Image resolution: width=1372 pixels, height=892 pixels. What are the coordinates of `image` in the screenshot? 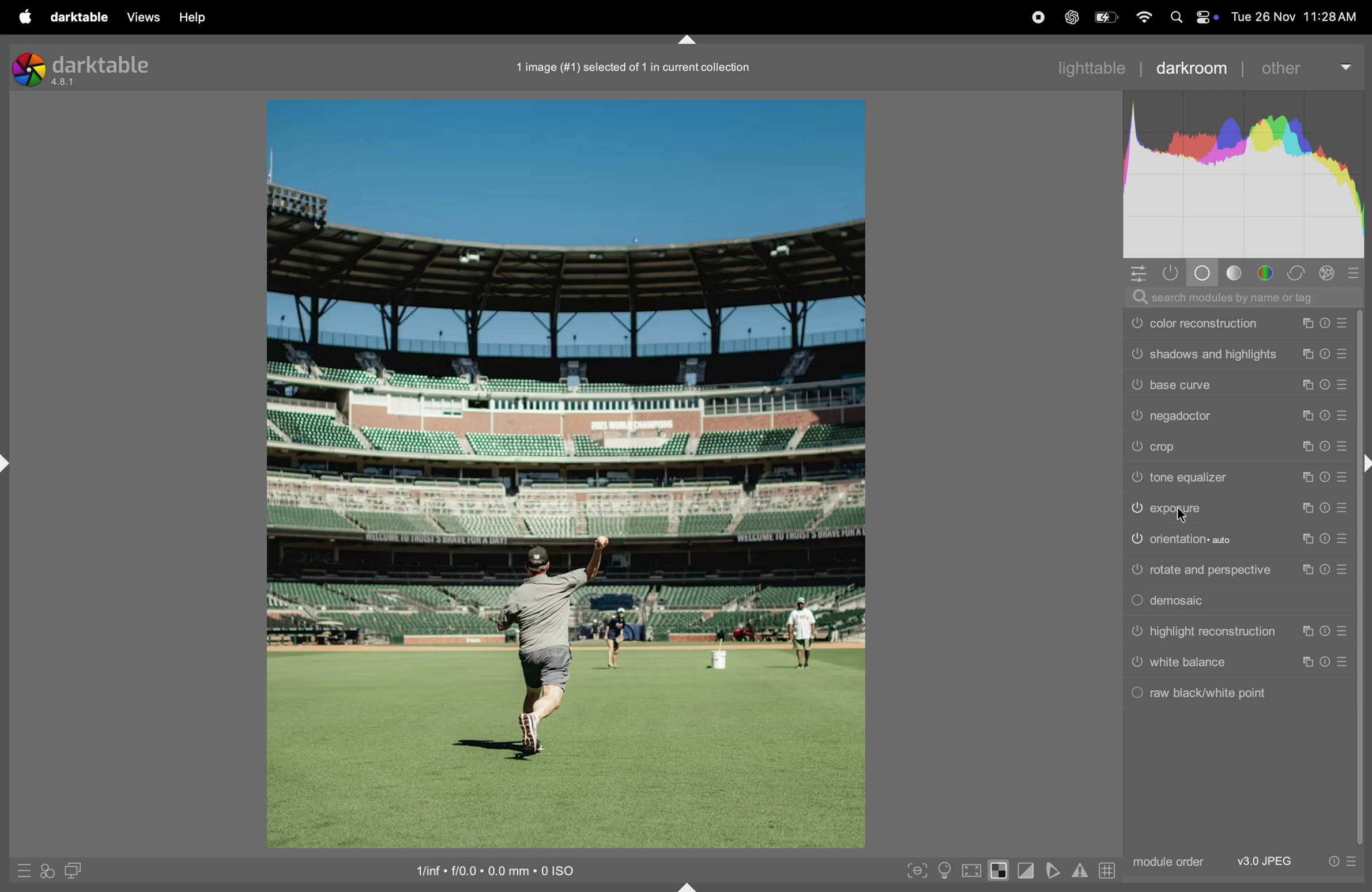 It's located at (564, 474).